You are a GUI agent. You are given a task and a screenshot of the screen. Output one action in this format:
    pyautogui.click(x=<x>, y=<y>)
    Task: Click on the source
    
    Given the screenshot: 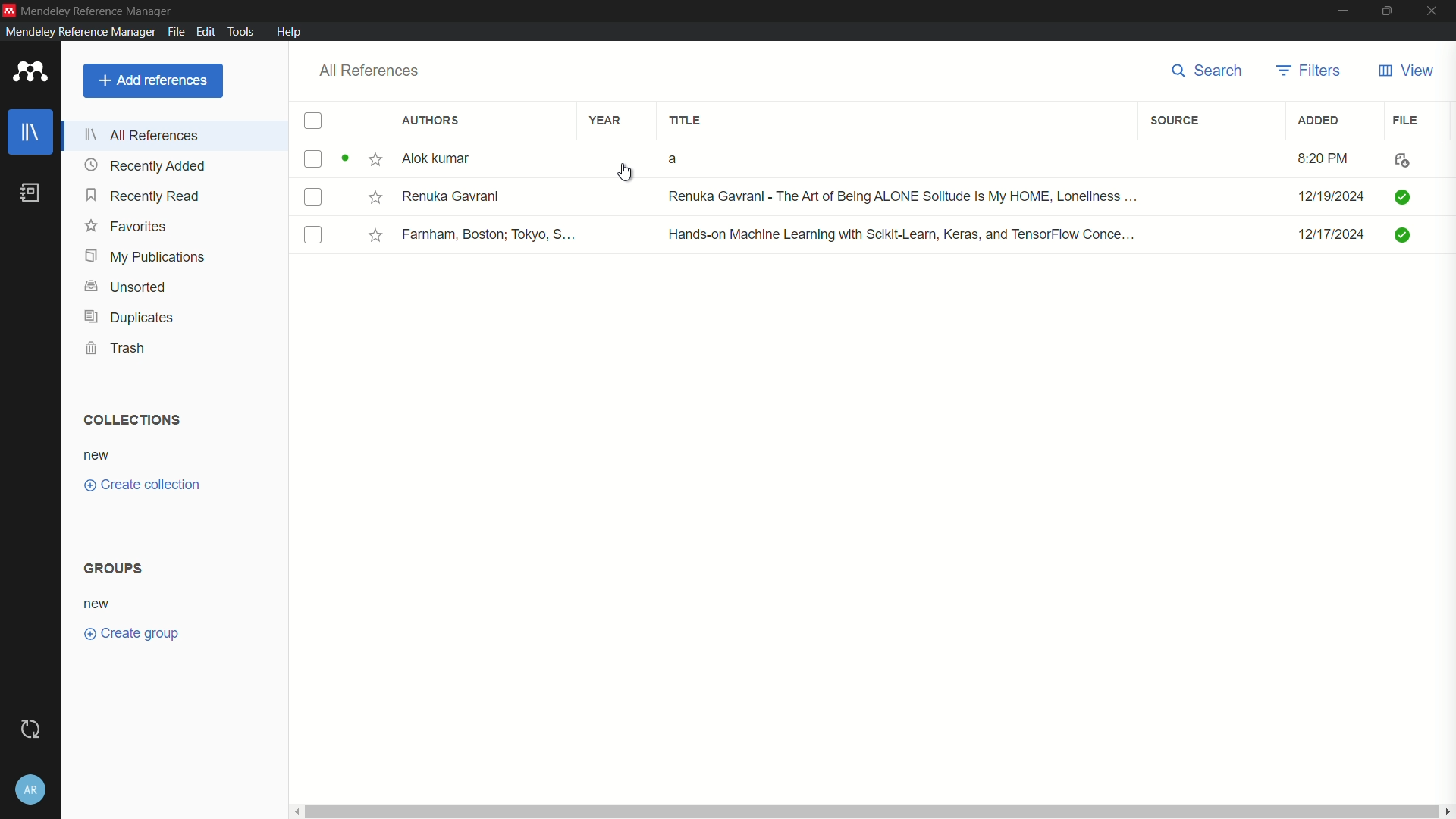 What is the action you would take?
    pyautogui.click(x=1176, y=121)
    